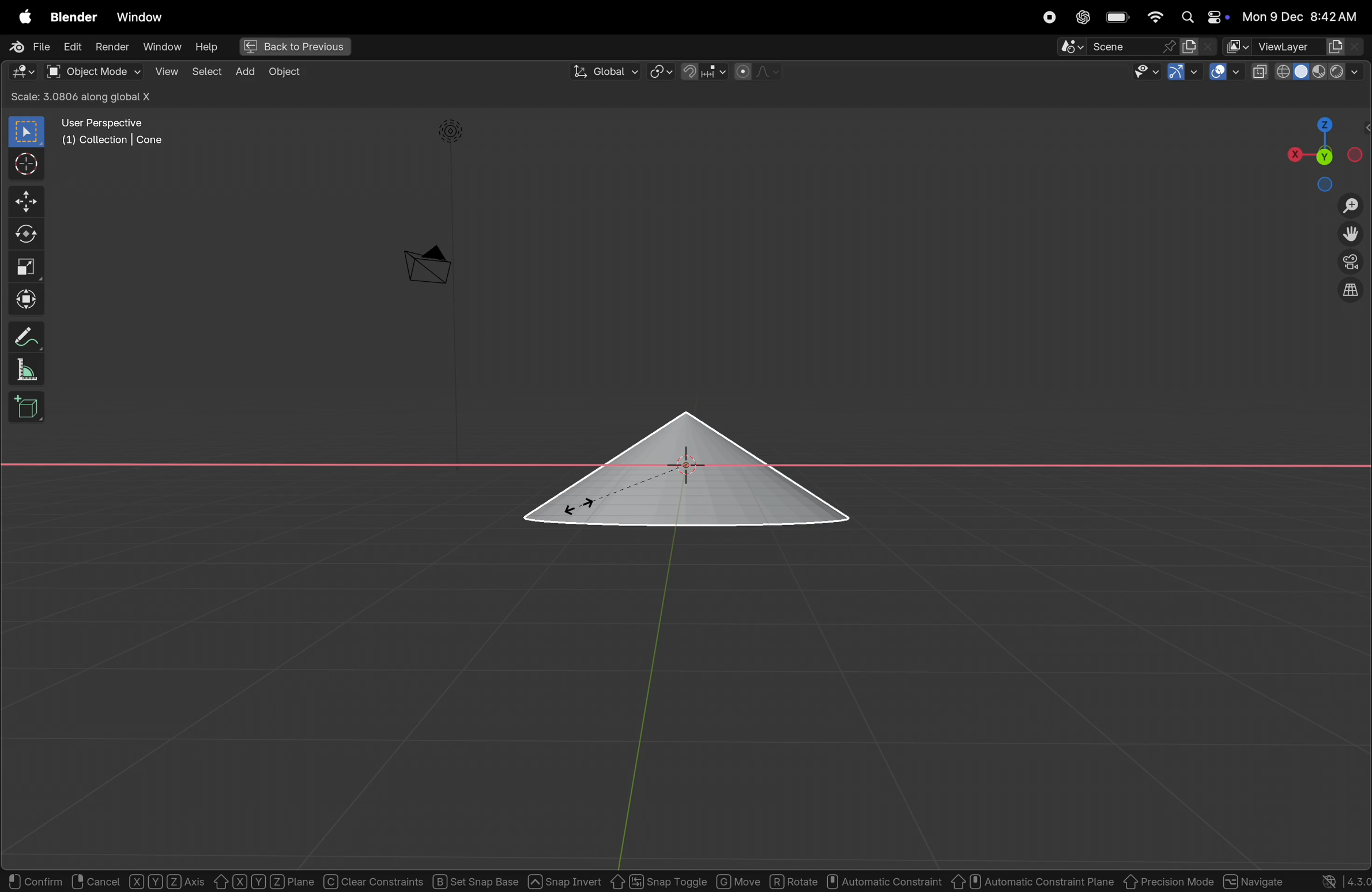 This screenshot has height=892, width=1372. Describe the element at coordinates (453, 131) in the screenshot. I see `light` at that location.